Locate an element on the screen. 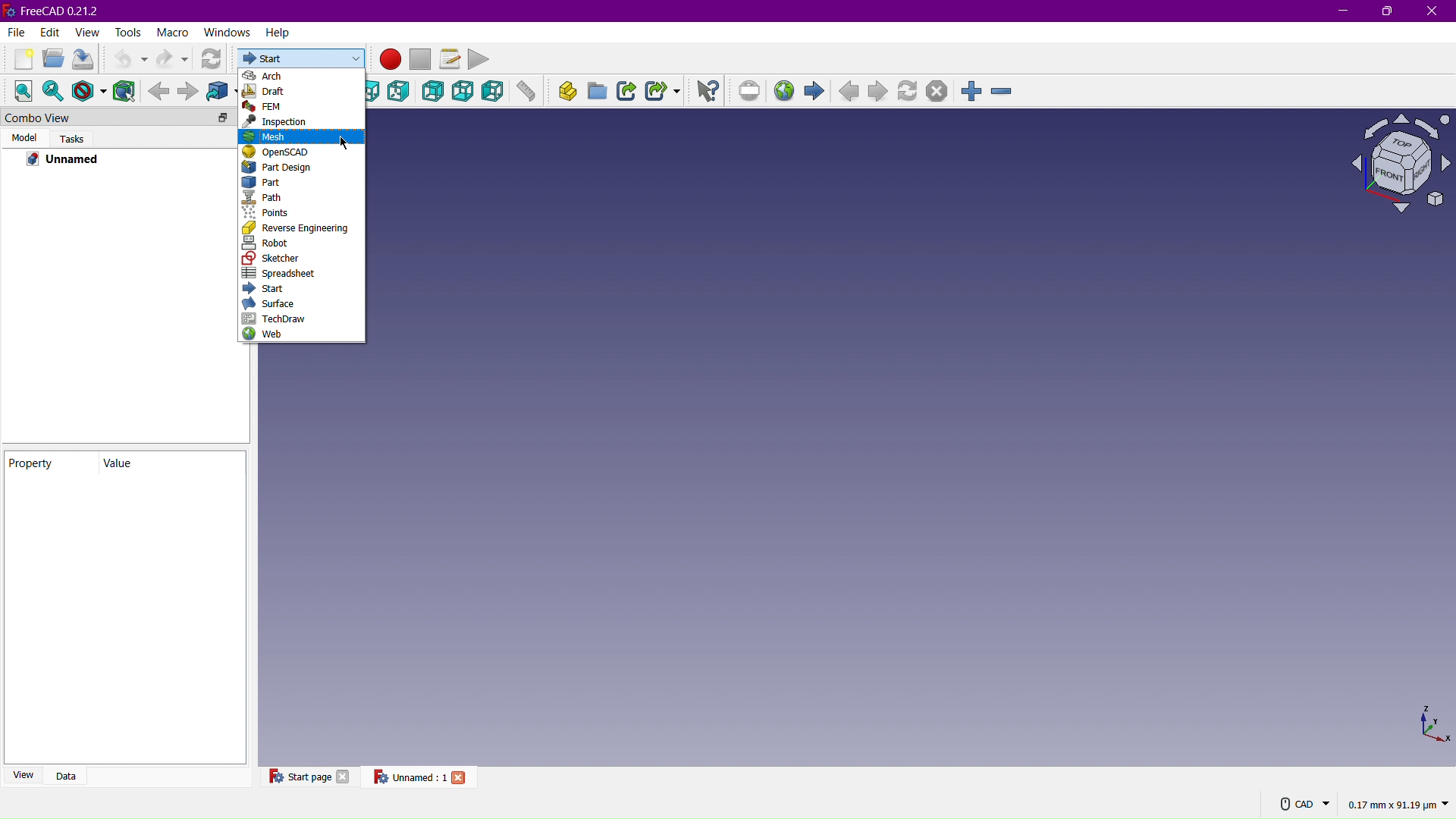 Image resolution: width=1456 pixels, height=819 pixels. Draft is located at coordinates (303, 93).